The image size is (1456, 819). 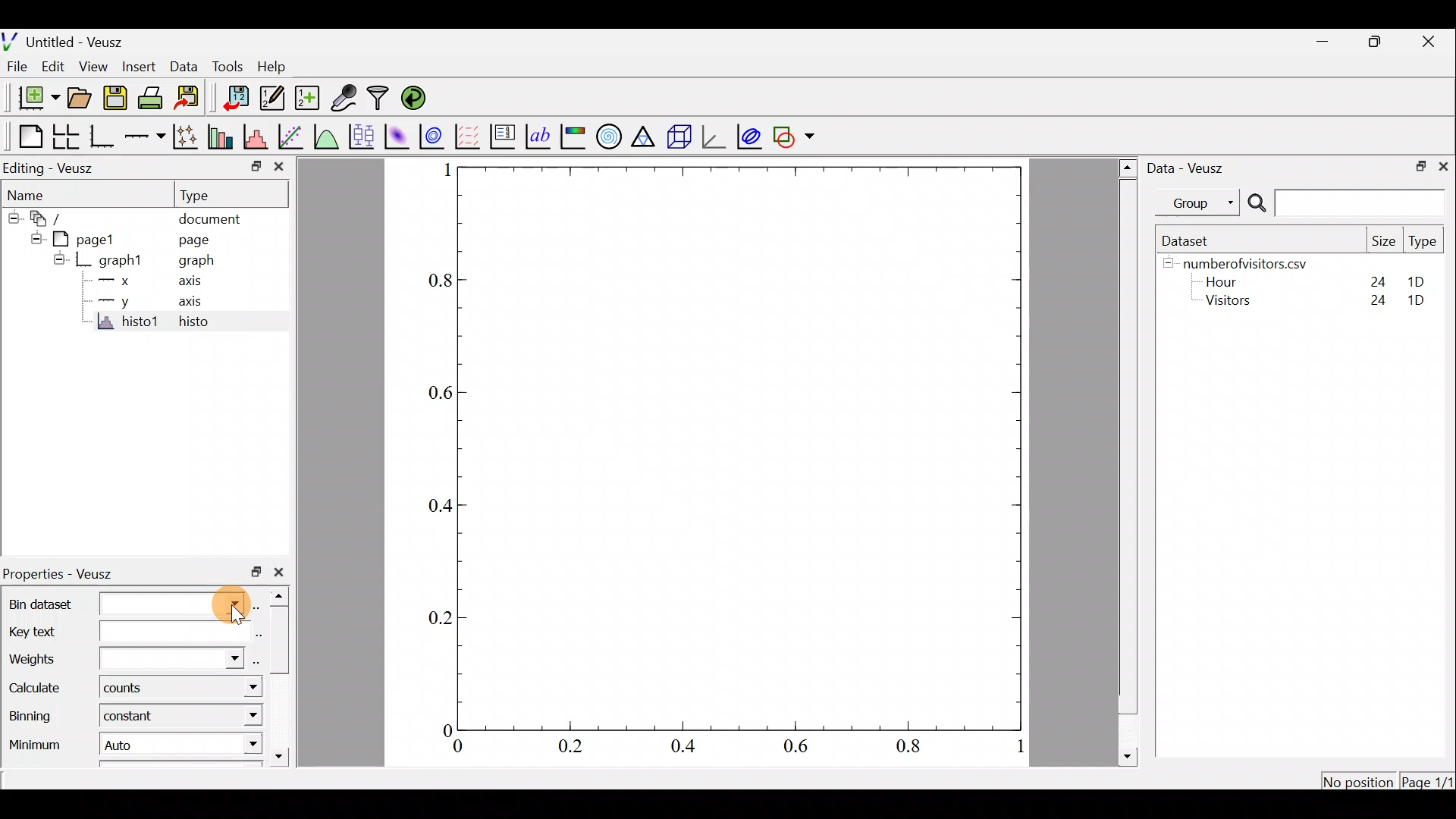 What do you see at coordinates (32, 748) in the screenshot?
I see `Minimum` at bounding box center [32, 748].